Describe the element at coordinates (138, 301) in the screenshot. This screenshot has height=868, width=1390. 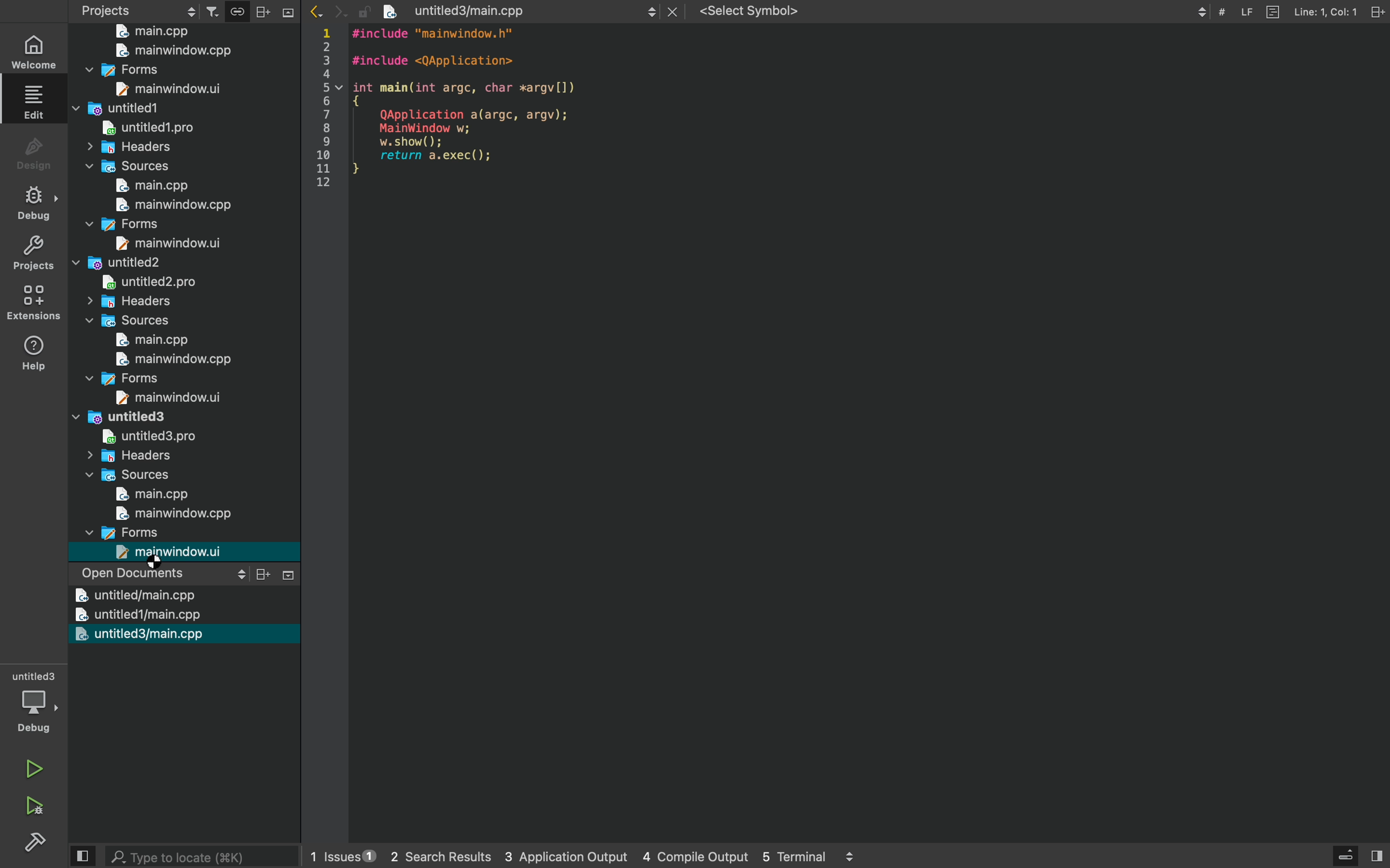
I see `untitled2` at that location.